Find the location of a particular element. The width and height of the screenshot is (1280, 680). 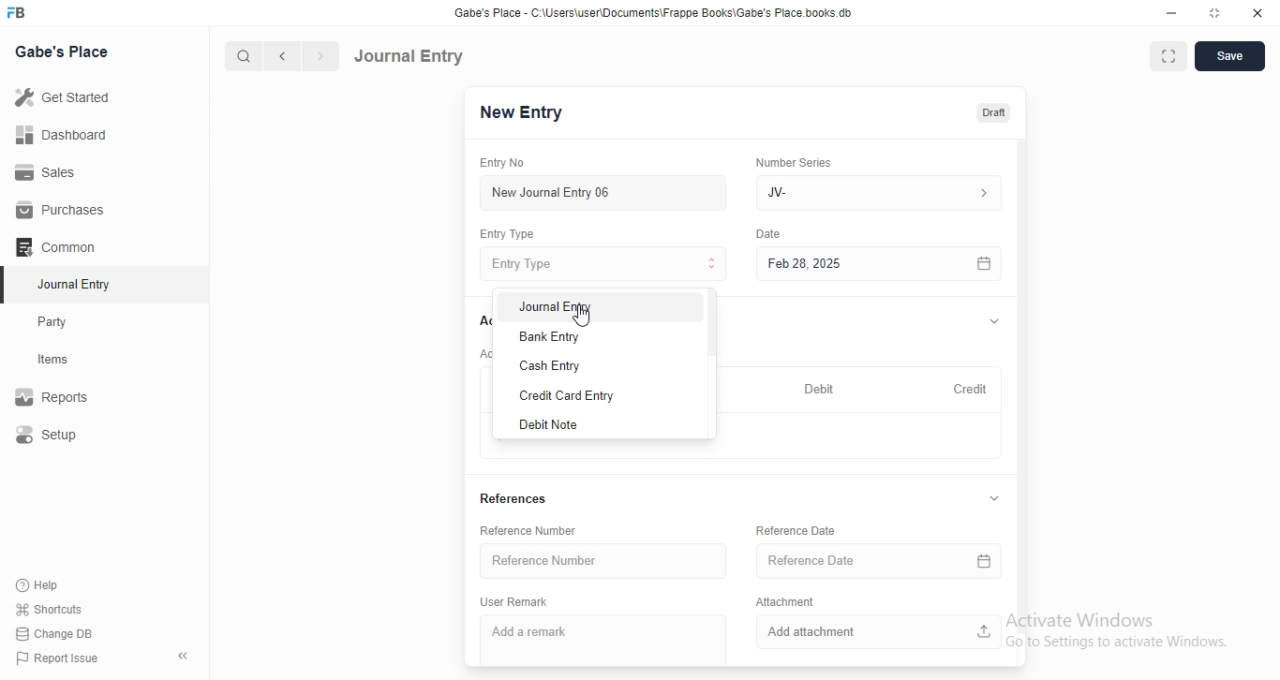

close is located at coordinates (1258, 14).